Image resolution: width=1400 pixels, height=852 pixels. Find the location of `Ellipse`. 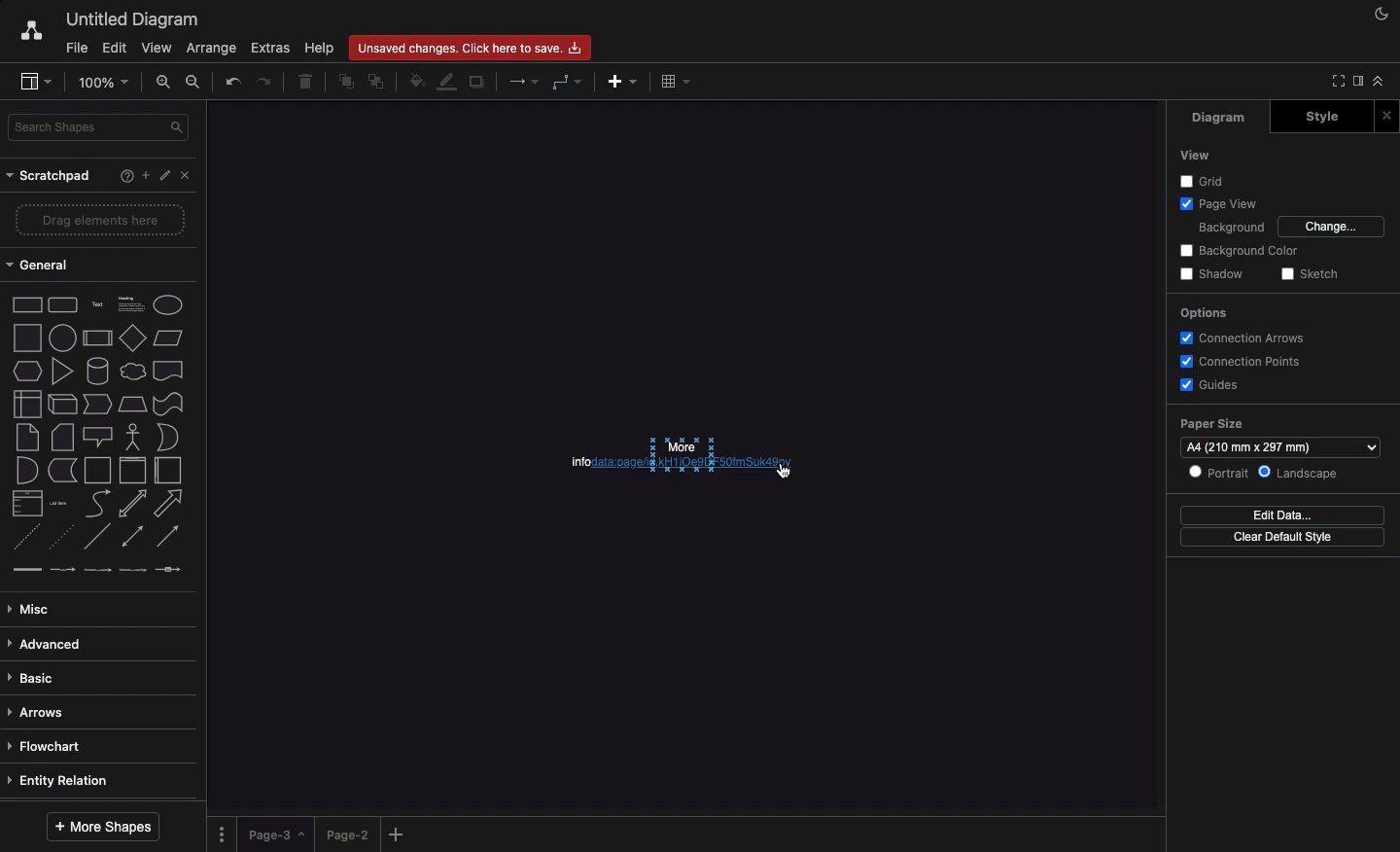

Ellipse is located at coordinates (168, 305).